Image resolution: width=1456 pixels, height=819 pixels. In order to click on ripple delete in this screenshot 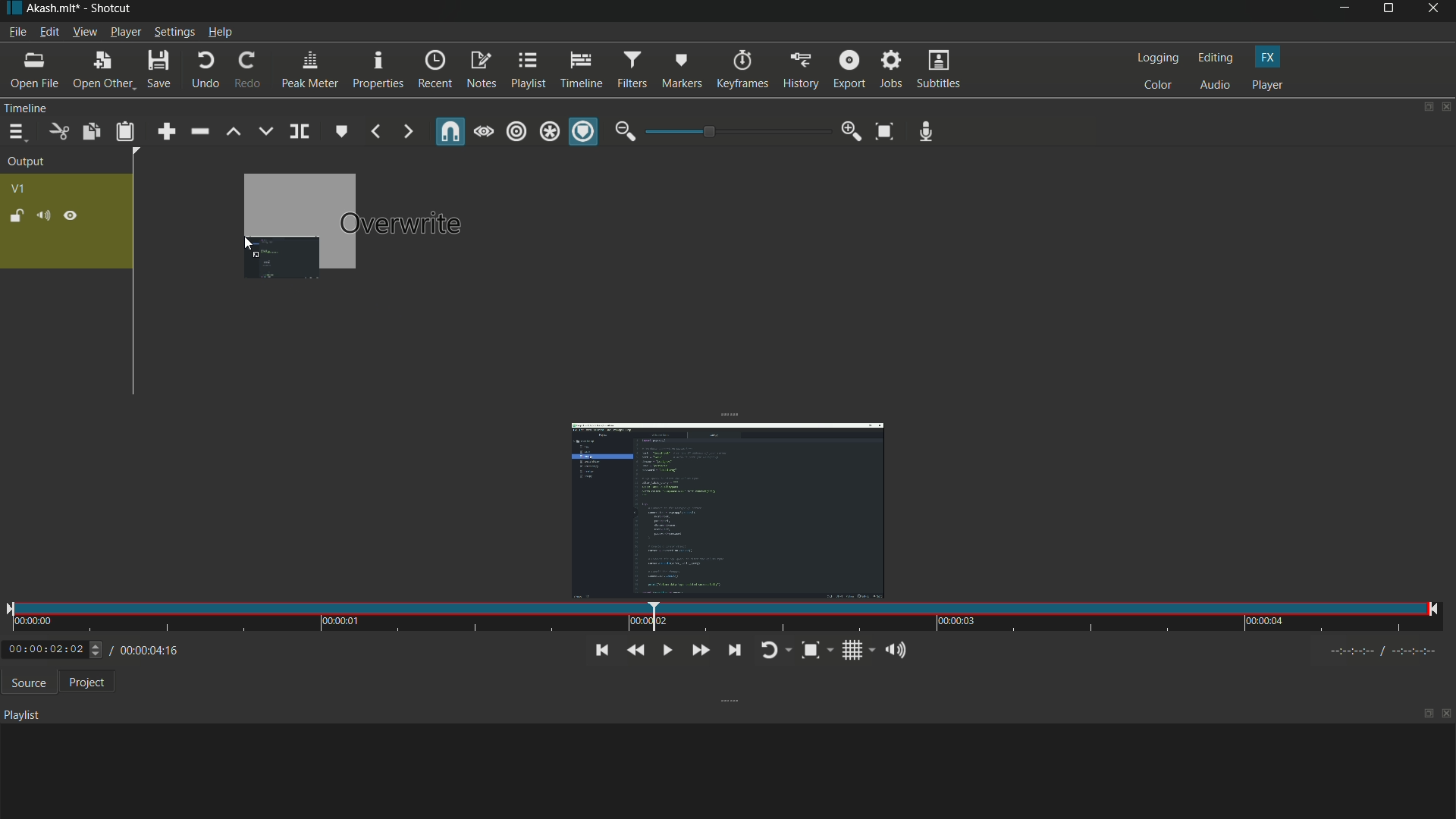, I will do `click(199, 131)`.